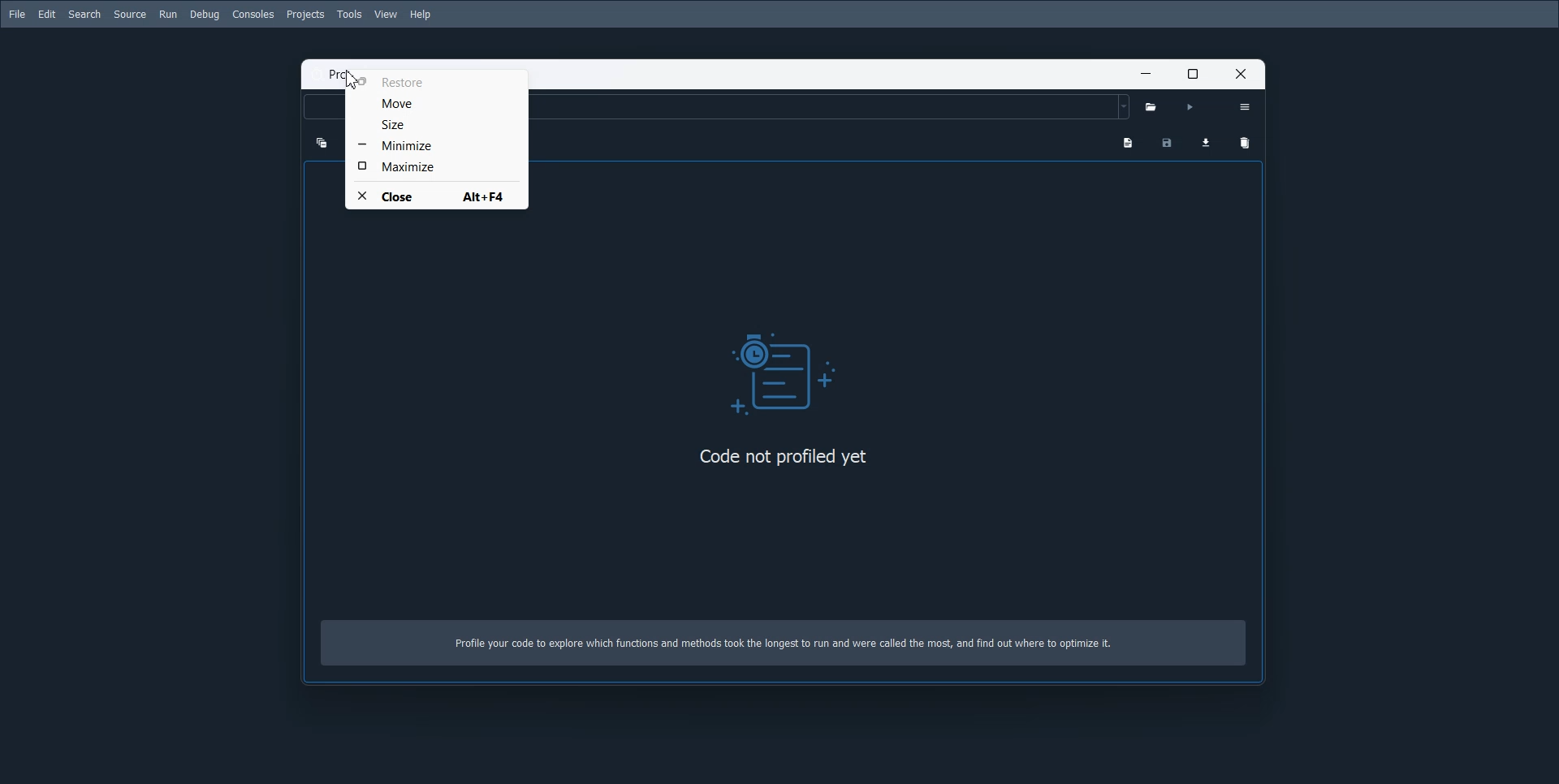  Describe the element at coordinates (433, 168) in the screenshot. I see `Maximize` at that location.